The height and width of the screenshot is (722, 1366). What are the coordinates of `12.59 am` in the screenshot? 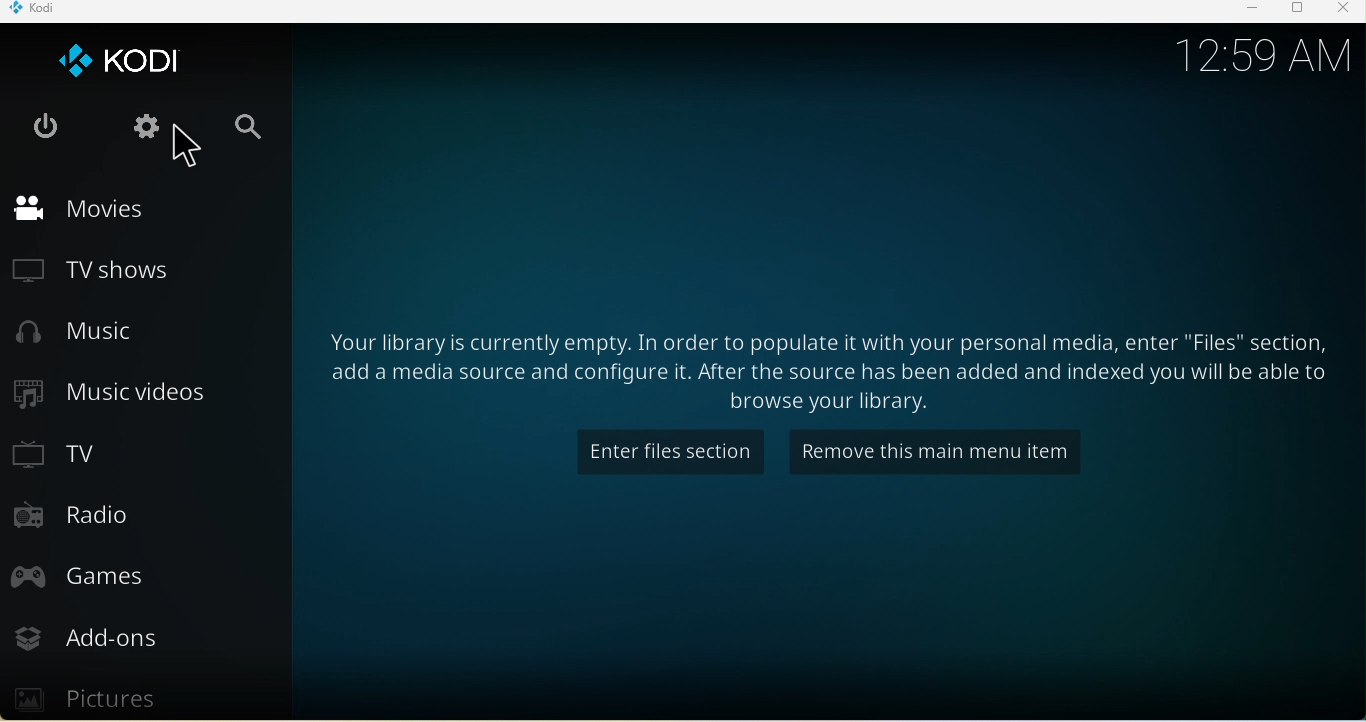 It's located at (1271, 59).